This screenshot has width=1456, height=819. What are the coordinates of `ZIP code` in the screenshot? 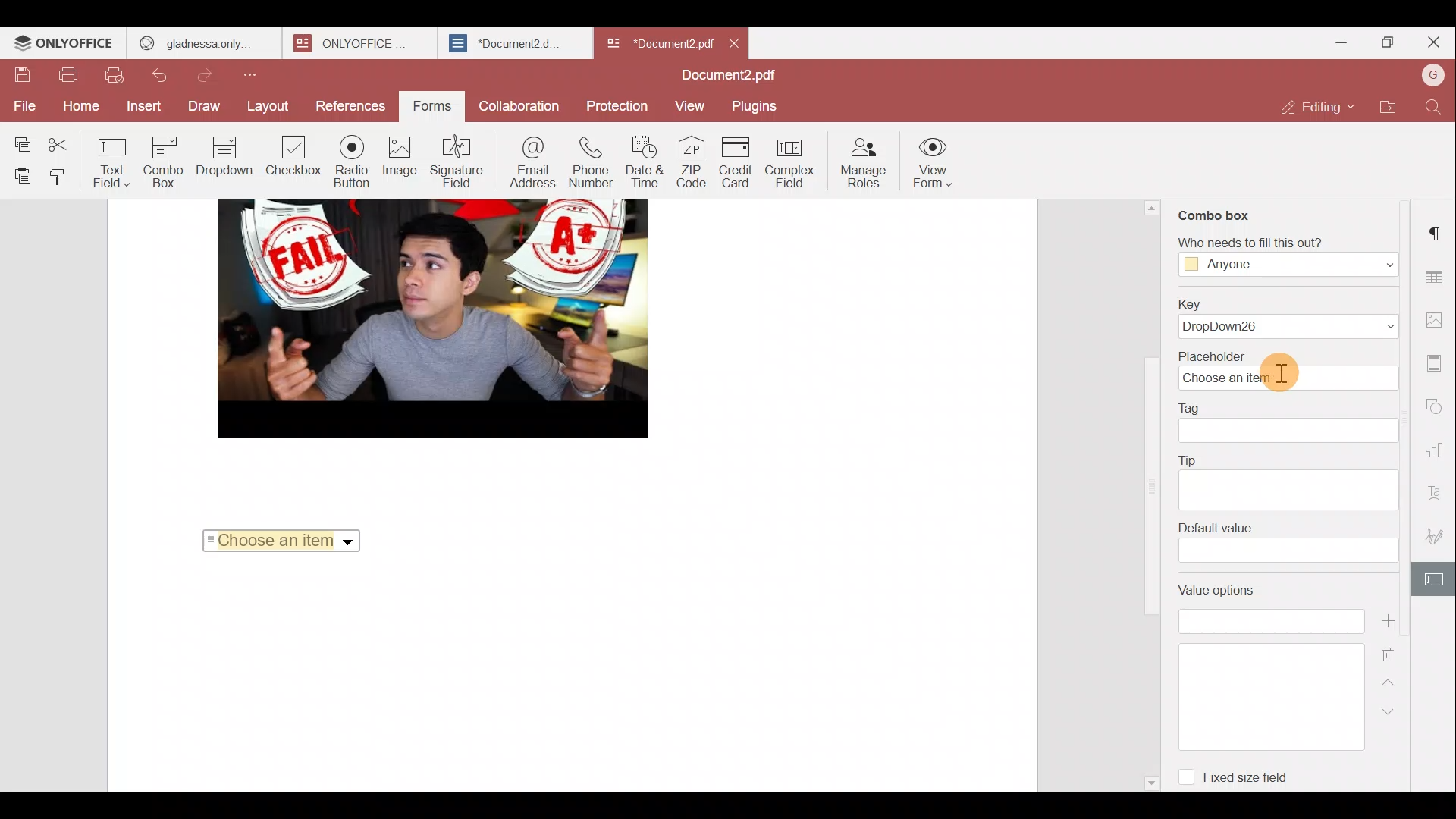 It's located at (692, 164).